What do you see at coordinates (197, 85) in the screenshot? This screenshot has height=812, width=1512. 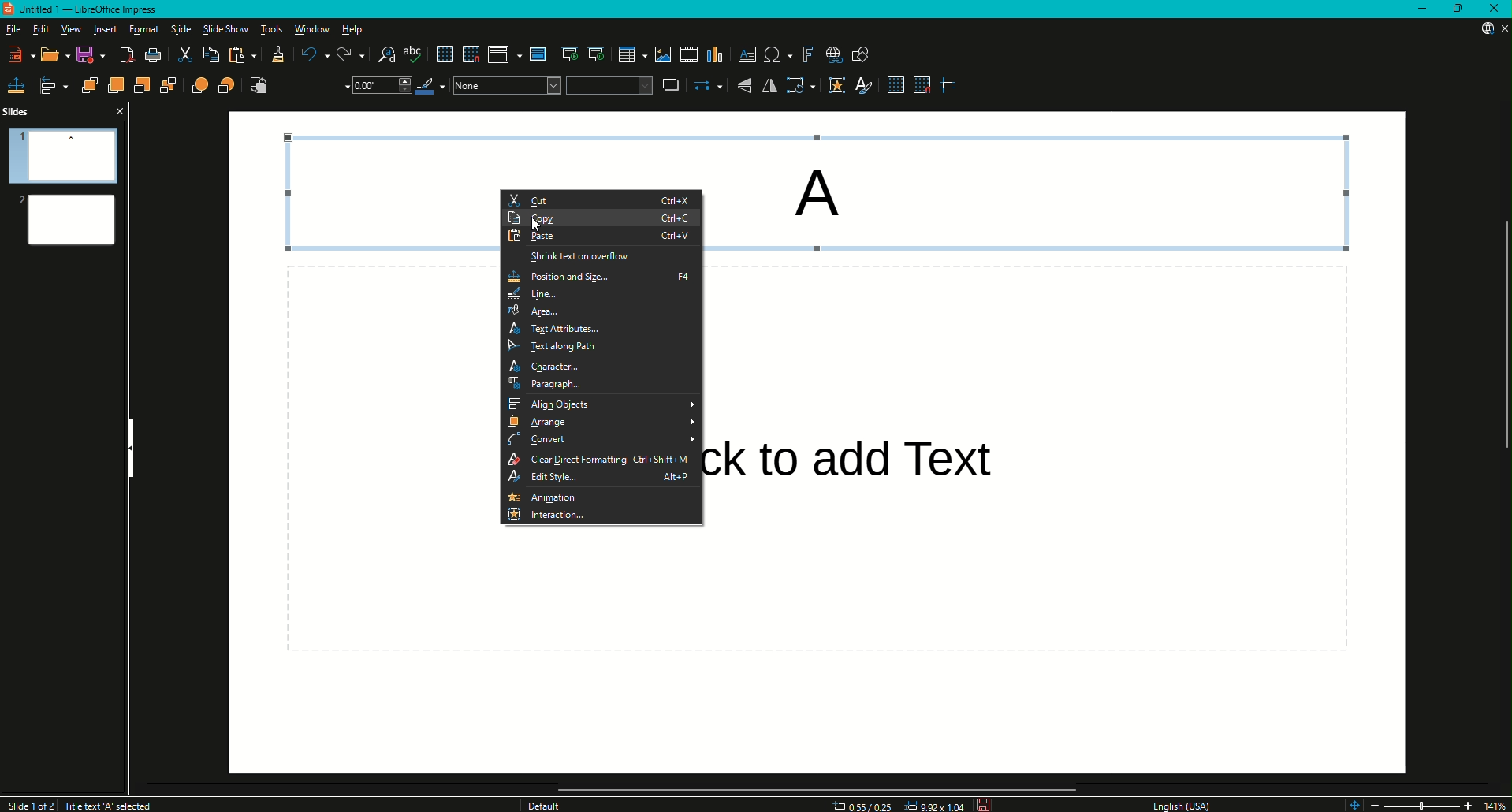 I see `In Front of Object` at bounding box center [197, 85].